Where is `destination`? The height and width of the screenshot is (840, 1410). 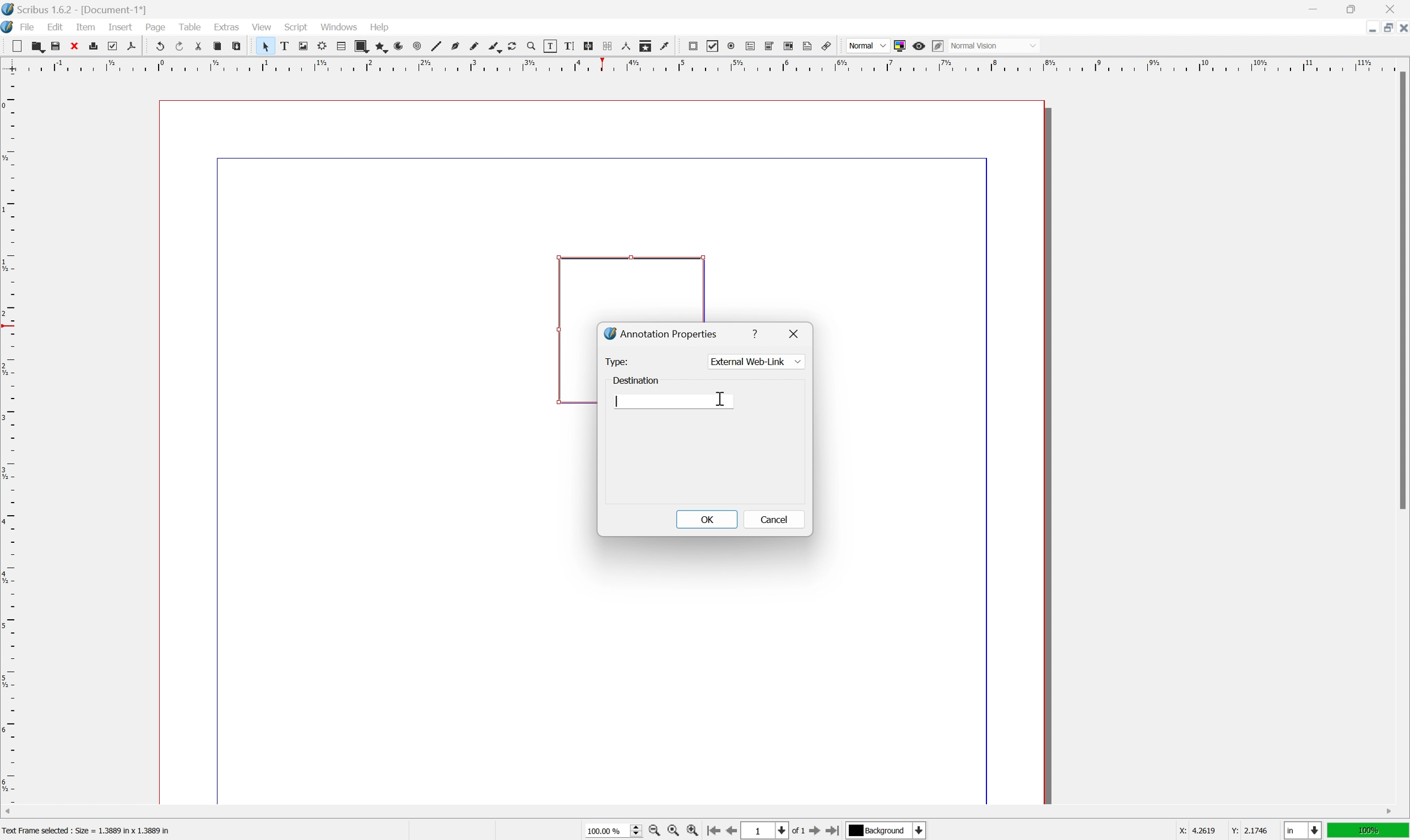
destination is located at coordinates (635, 381).